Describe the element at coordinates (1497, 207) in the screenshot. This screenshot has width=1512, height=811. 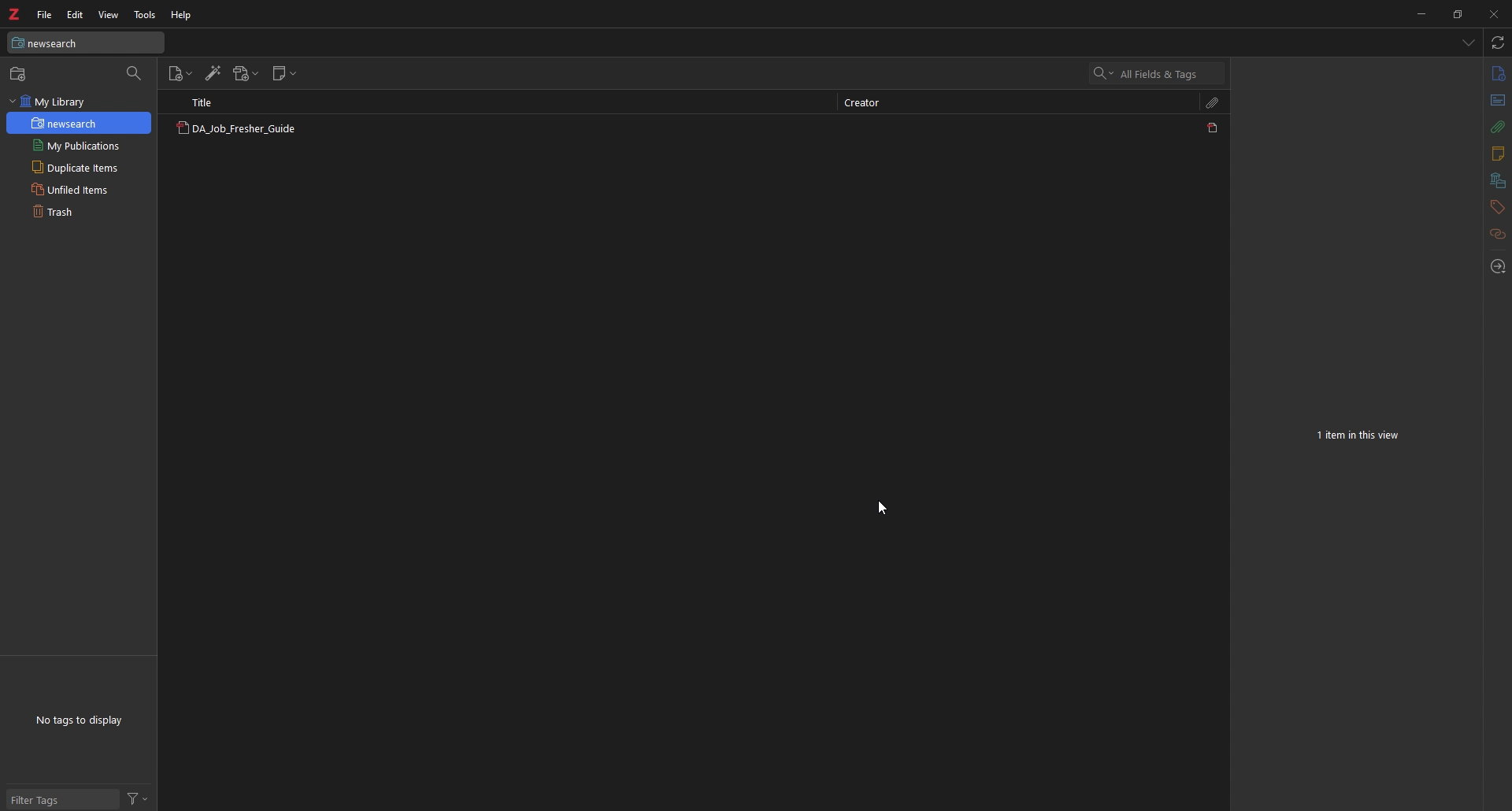
I see `tags` at that location.